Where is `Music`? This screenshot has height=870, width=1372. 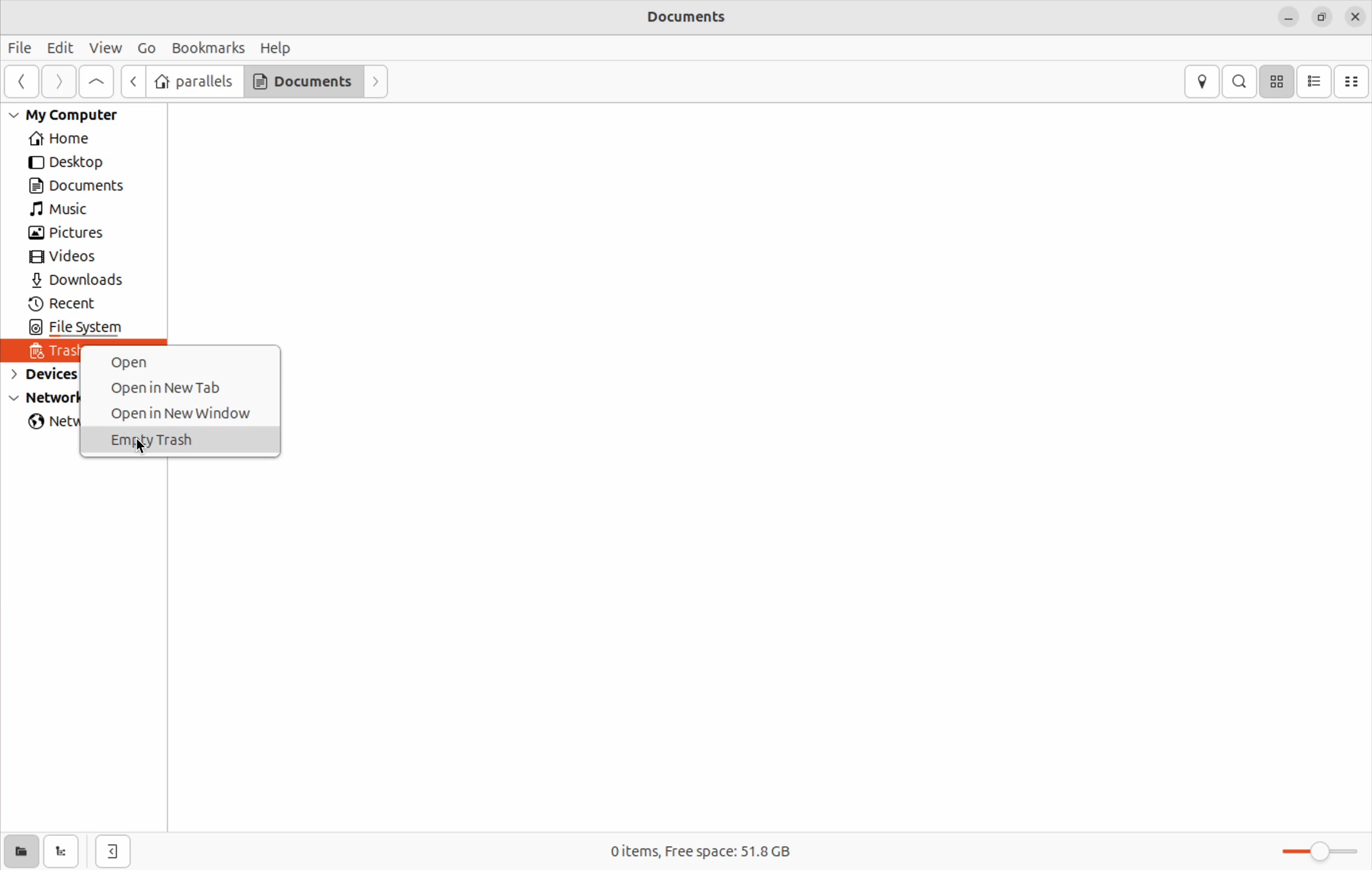
Music is located at coordinates (79, 210).